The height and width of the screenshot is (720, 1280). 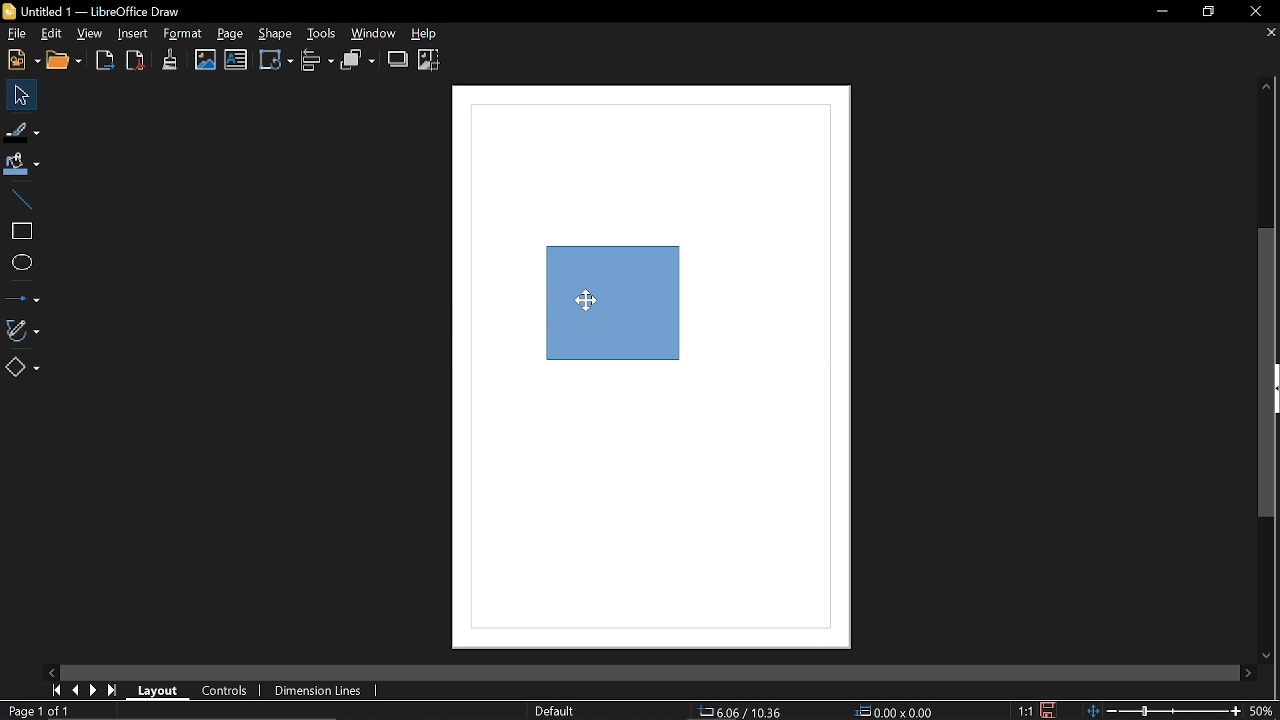 What do you see at coordinates (230, 34) in the screenshot?
I see `Page` at bounding box center [230, 34].